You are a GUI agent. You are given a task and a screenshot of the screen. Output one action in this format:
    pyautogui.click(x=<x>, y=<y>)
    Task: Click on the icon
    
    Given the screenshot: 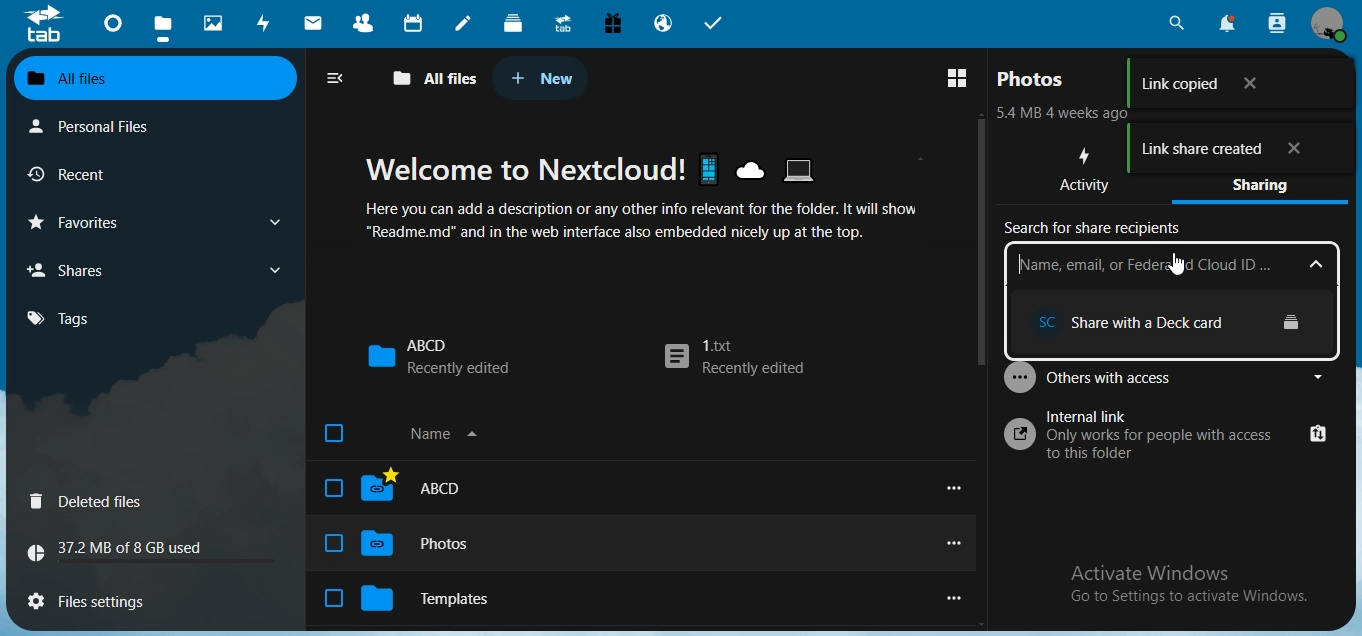 What is the action you would take?
    pyautogui.click(x=43, y=23)
    